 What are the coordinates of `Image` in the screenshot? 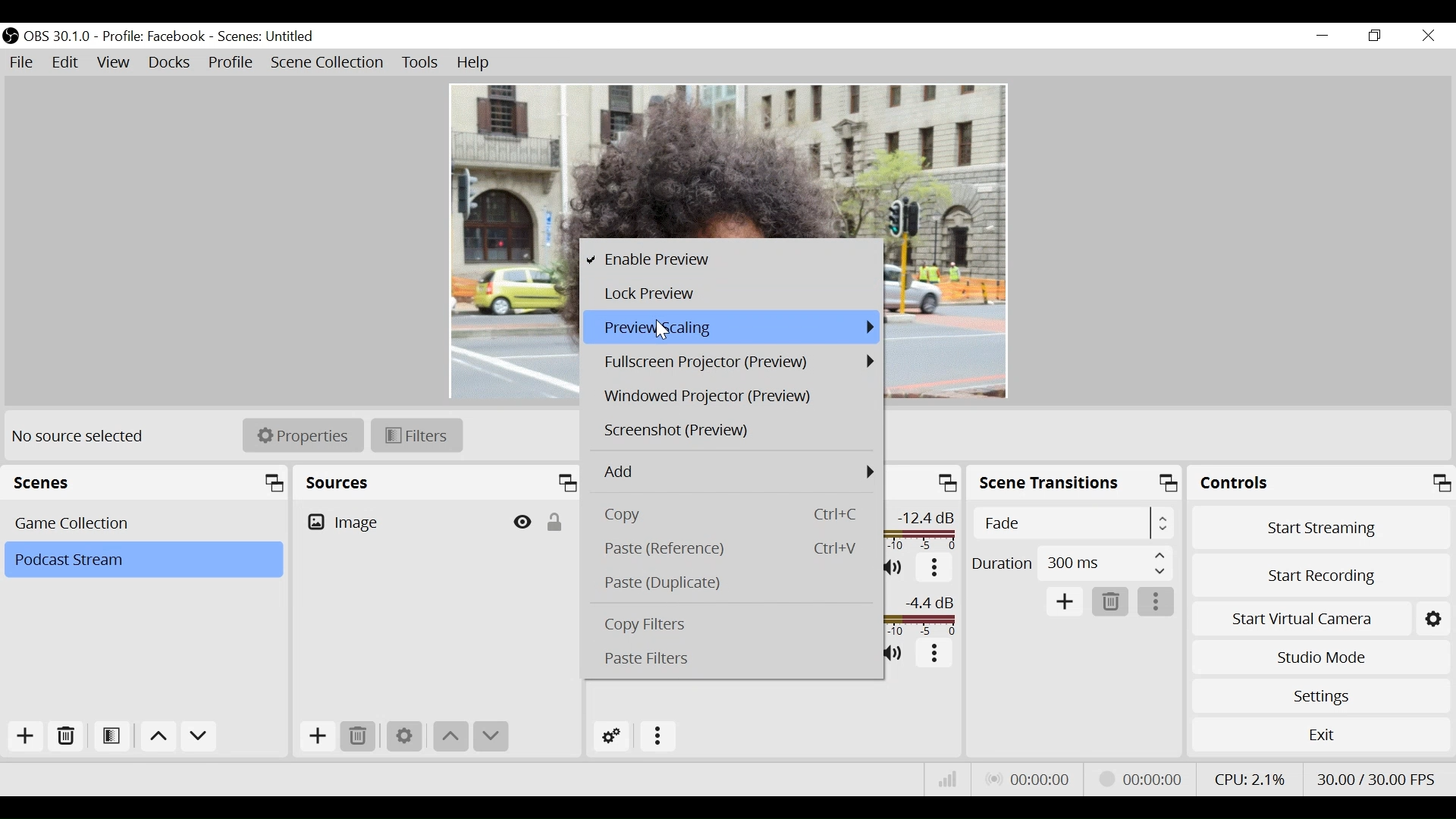 It's located at (397, 523).